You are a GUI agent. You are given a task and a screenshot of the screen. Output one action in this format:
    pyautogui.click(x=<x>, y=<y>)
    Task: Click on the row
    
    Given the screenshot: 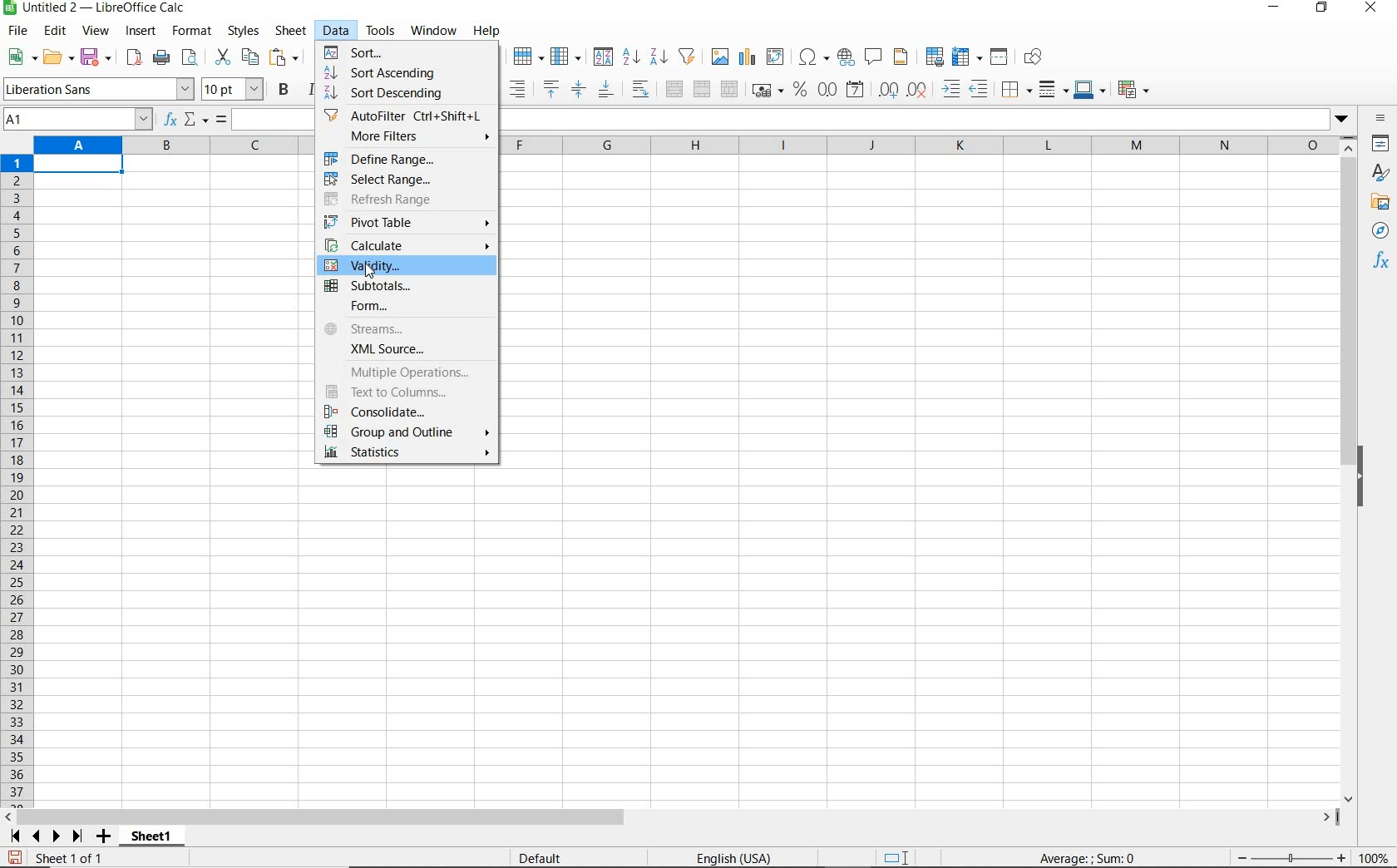 What is the action you would take?
    pyautogui.click(x=528, y=57)
    